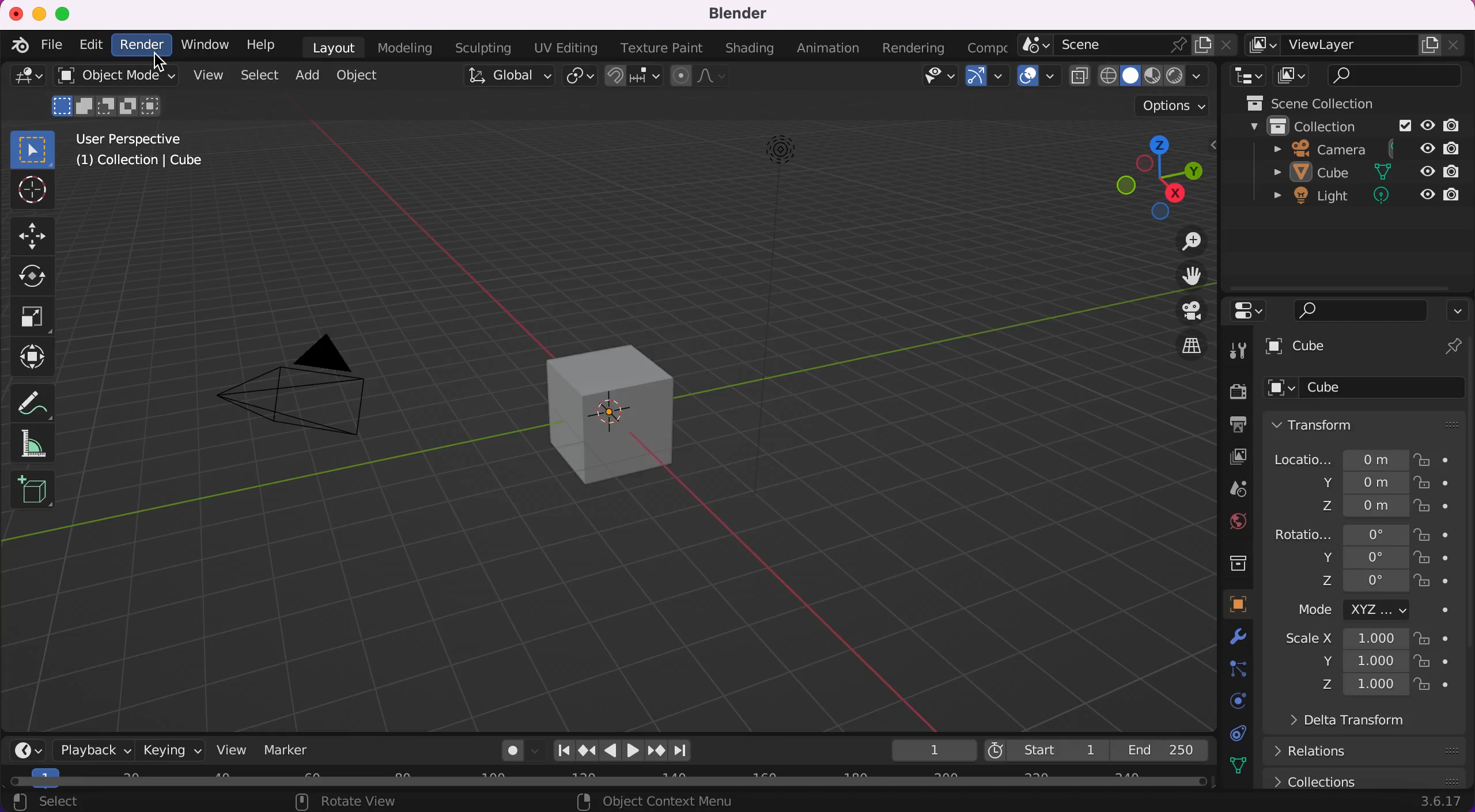 Image resolution: width=1475 pixels, height=812 pixels. I want to click on search, so click(1361, 312).